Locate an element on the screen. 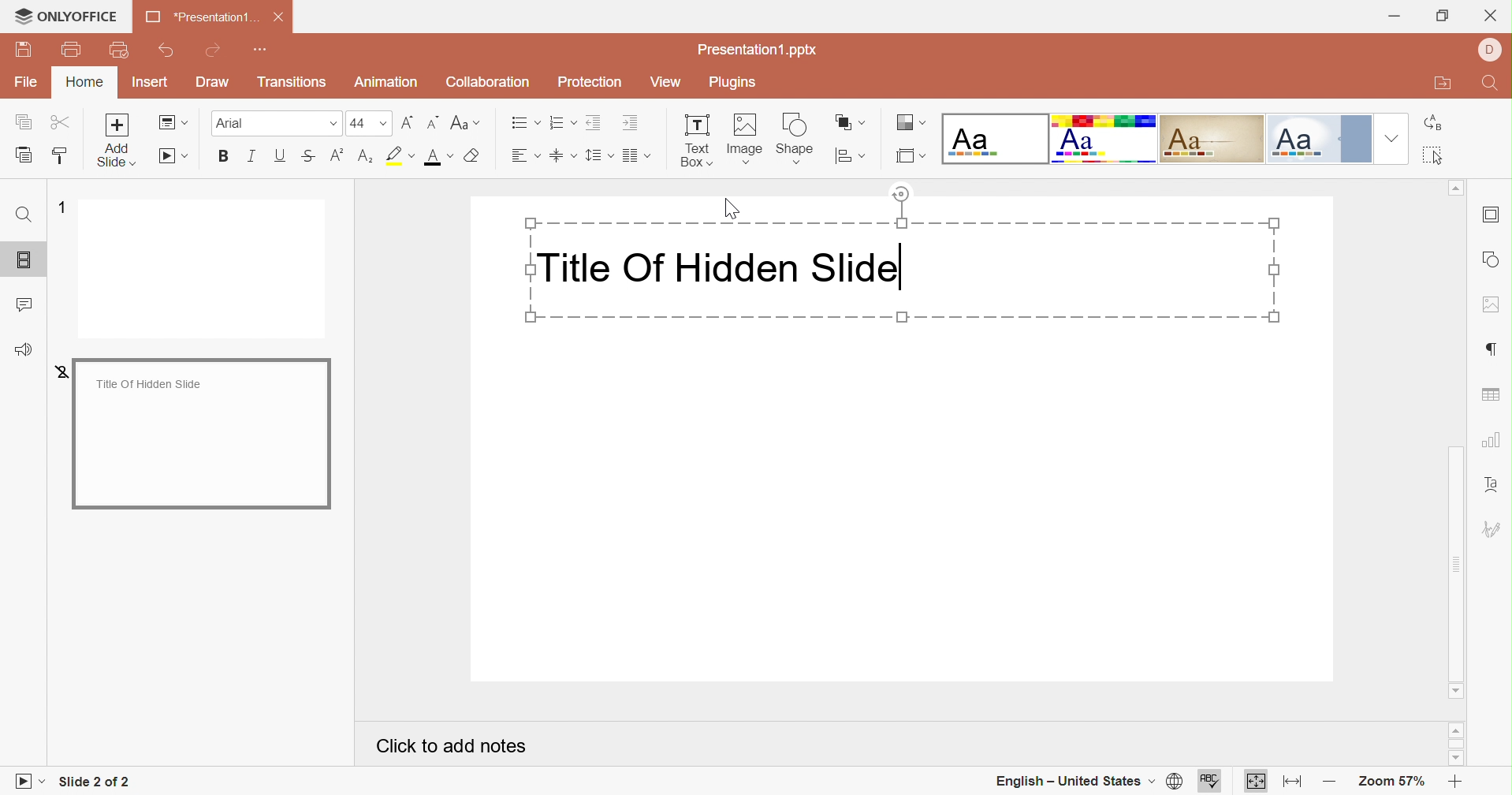  Highlight color is located at coordinates (367, 157).